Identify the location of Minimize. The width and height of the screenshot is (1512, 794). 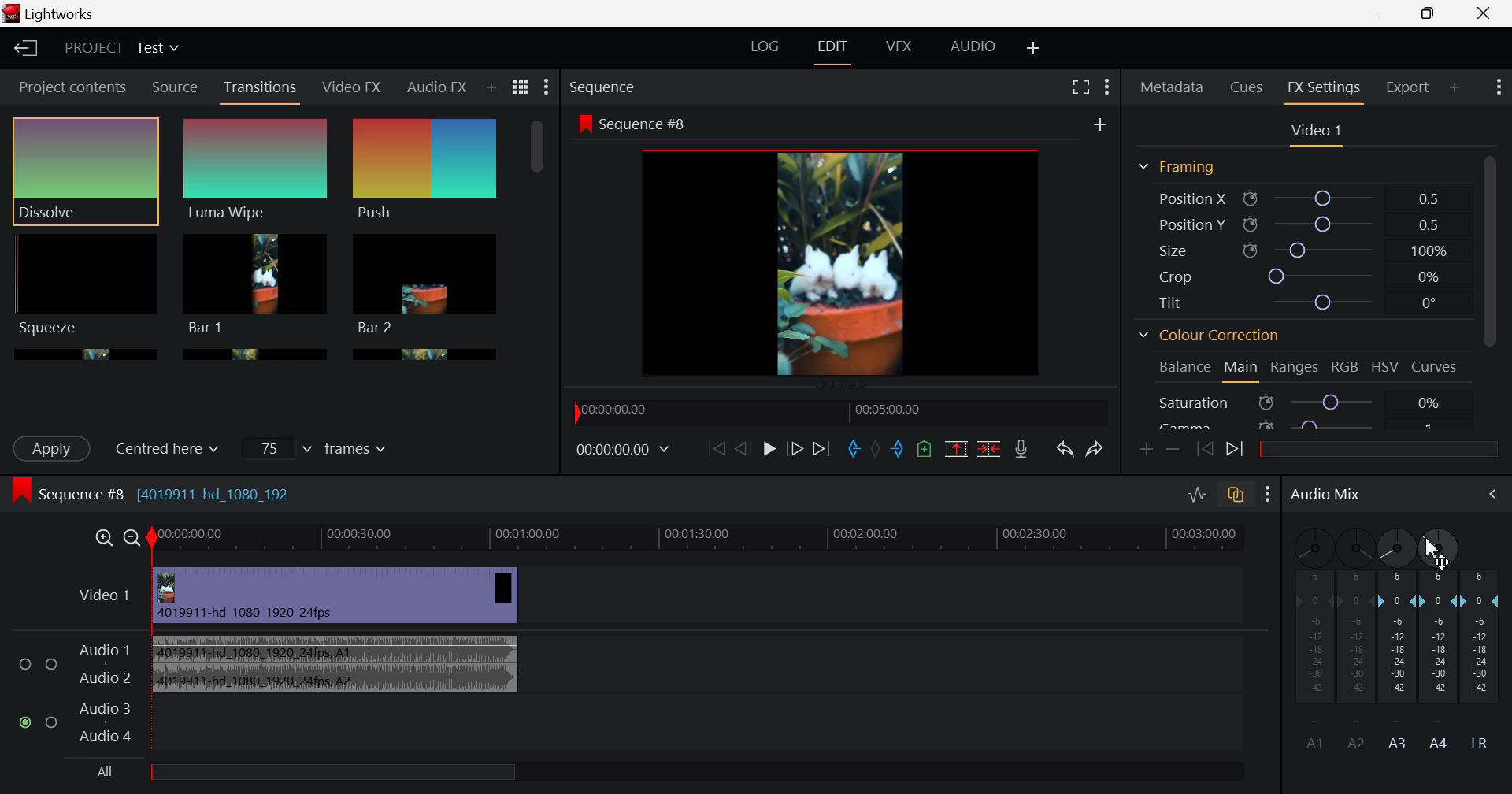
(1432, 13).